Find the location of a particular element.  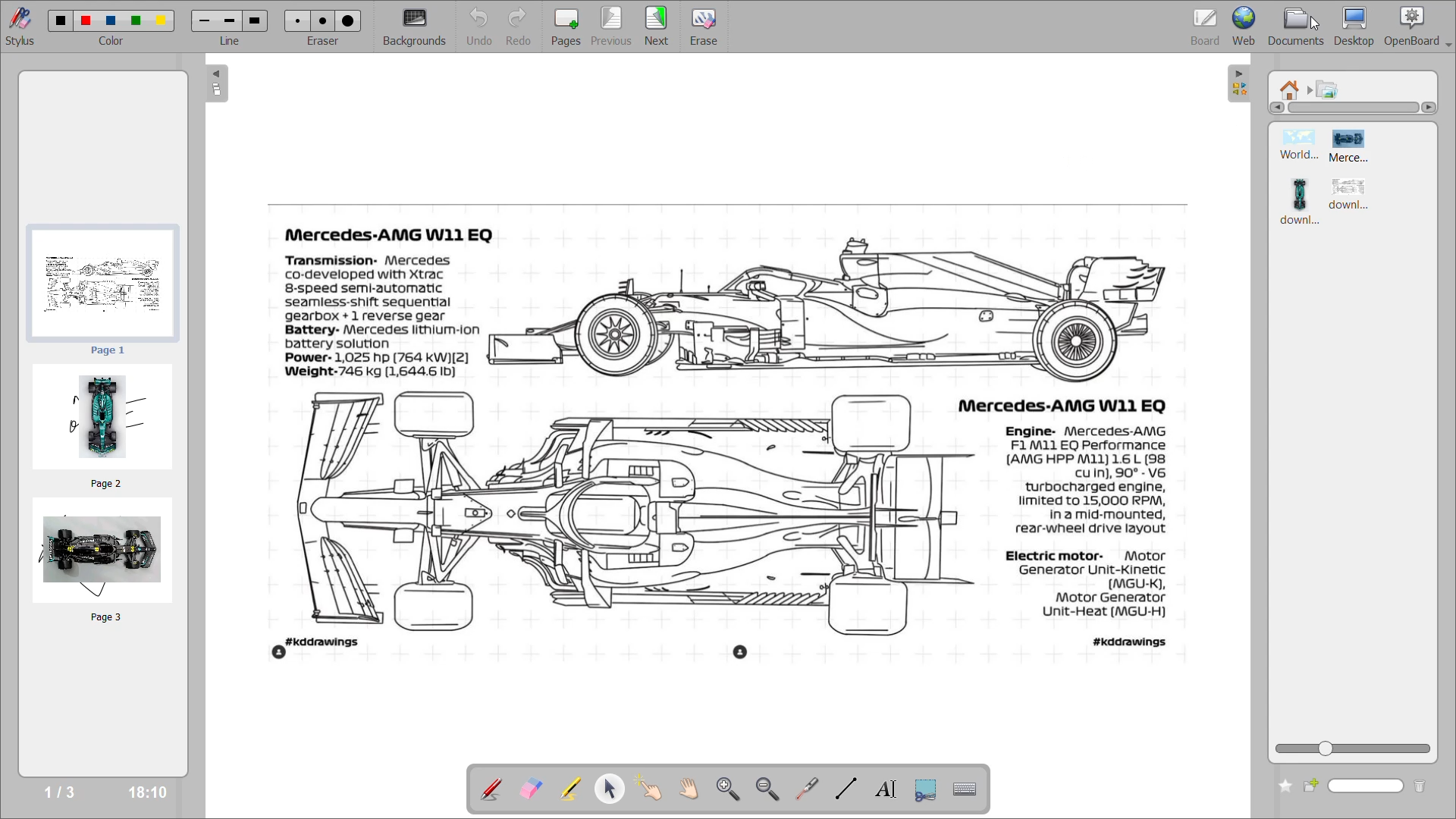

annotate document is located at coordinates (489, 787).